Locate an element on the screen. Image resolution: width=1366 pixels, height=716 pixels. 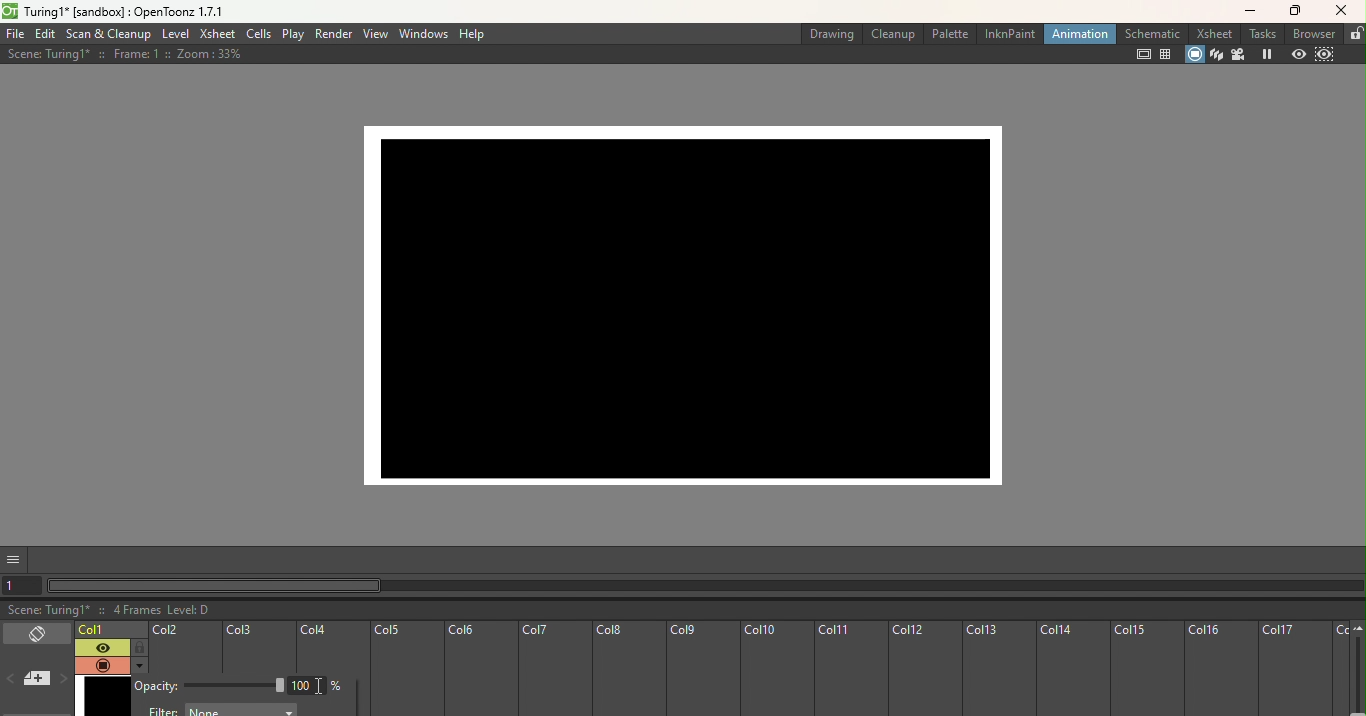
Windows is located at coordinates (422, 35).